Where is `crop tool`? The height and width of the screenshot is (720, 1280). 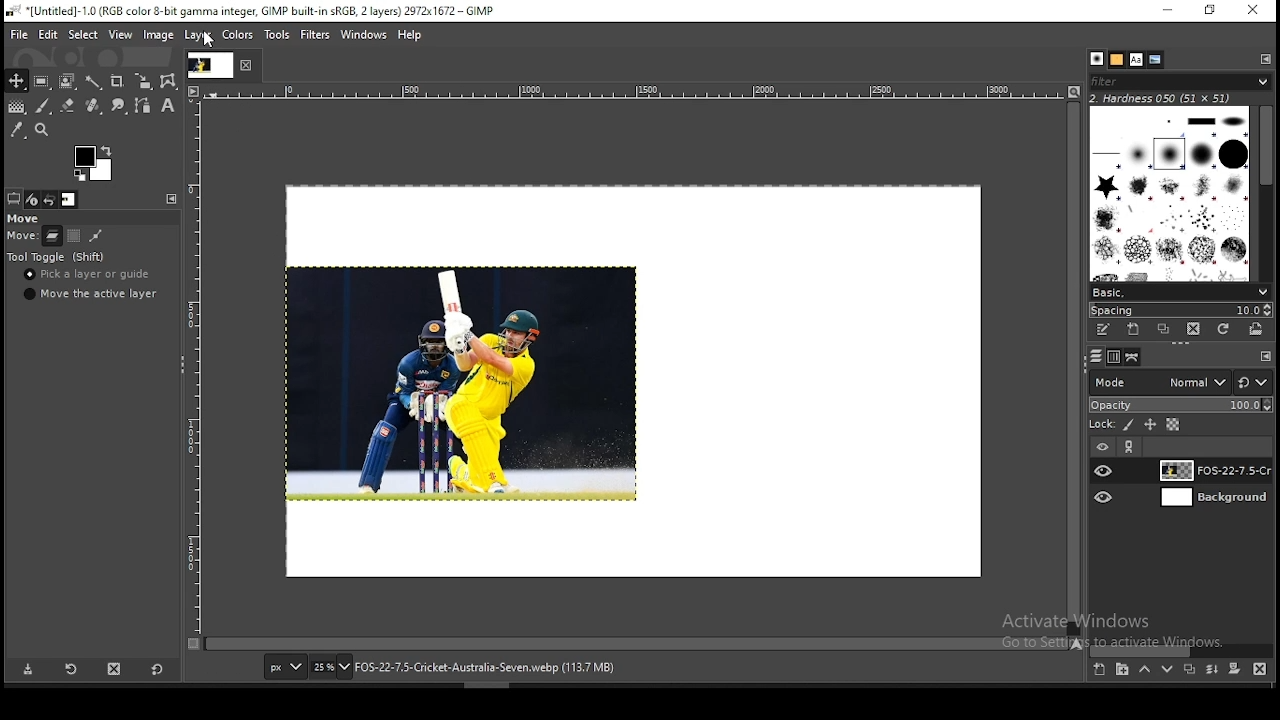
crop tool is located at coordinates (116, 80).